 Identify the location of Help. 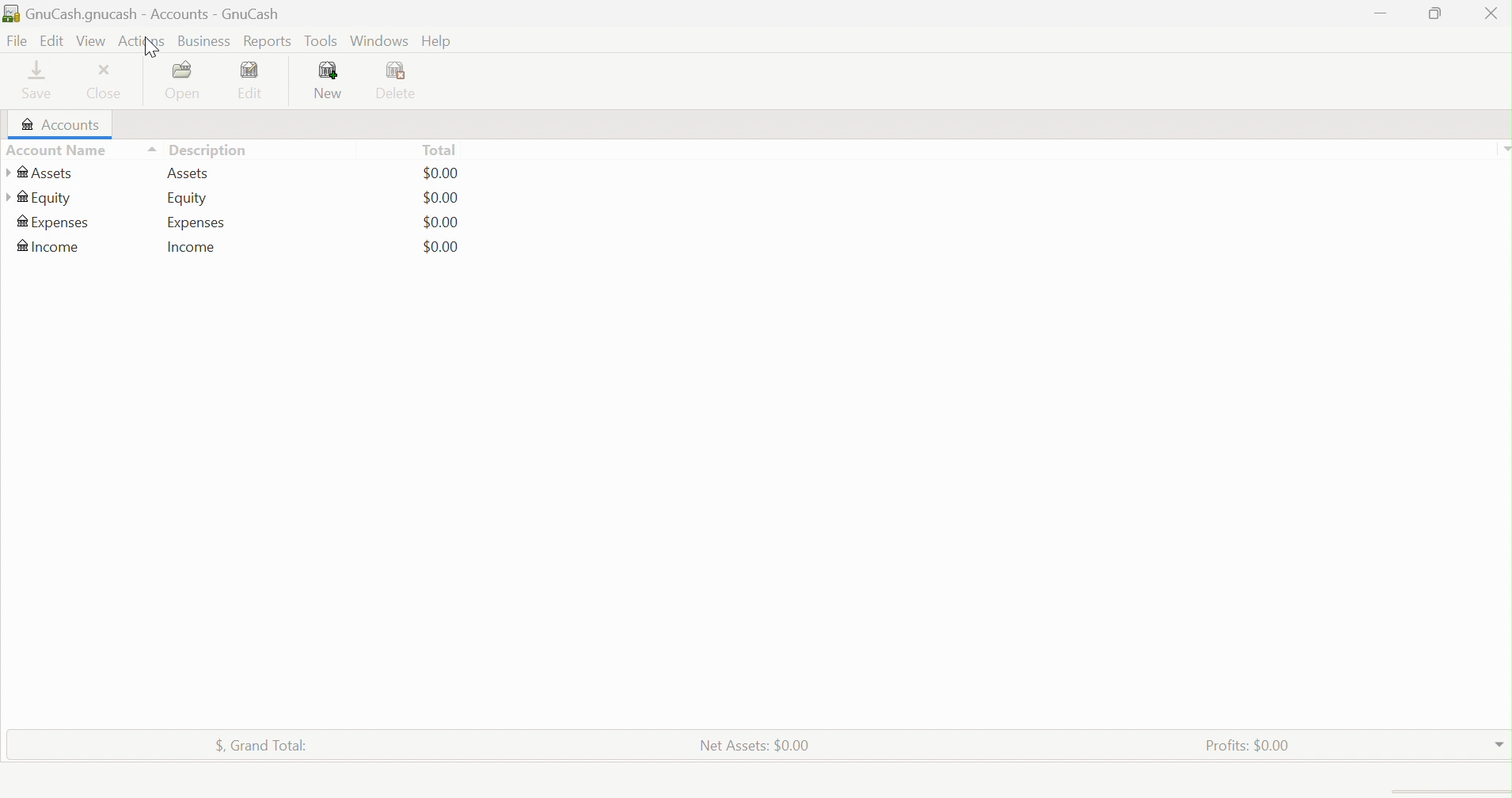
(438, 42).